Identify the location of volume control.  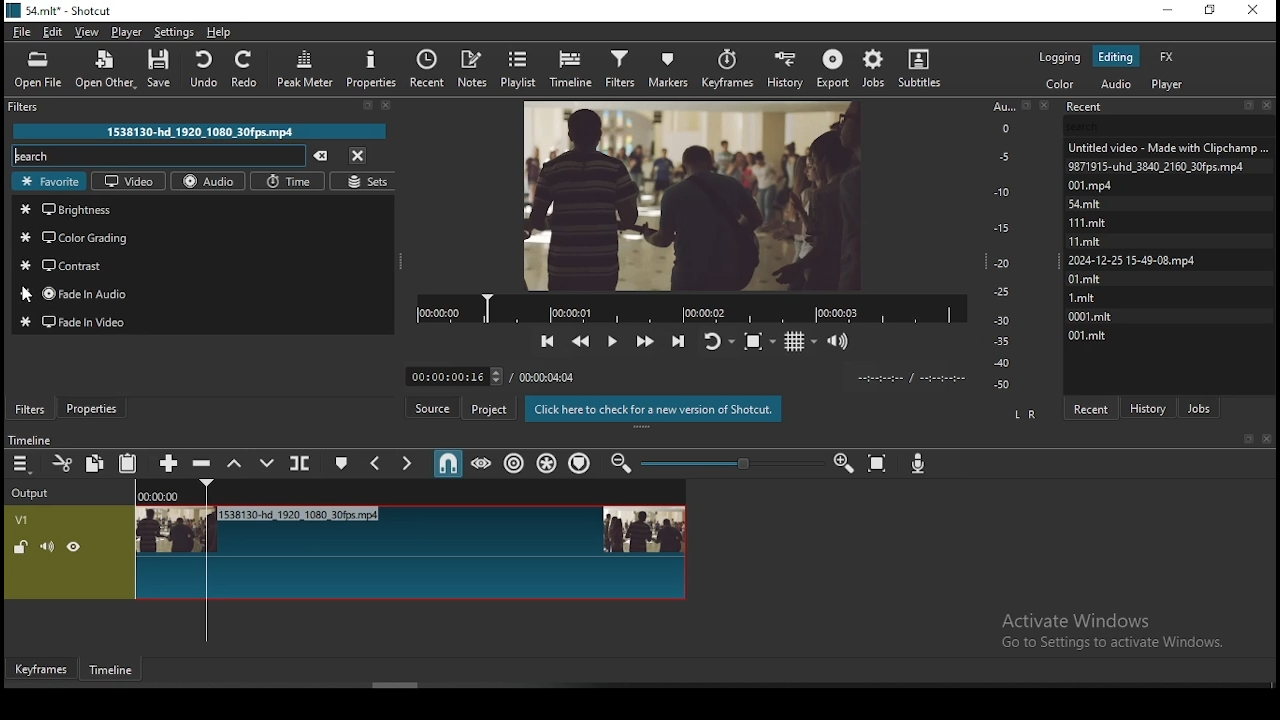
(841, 341).